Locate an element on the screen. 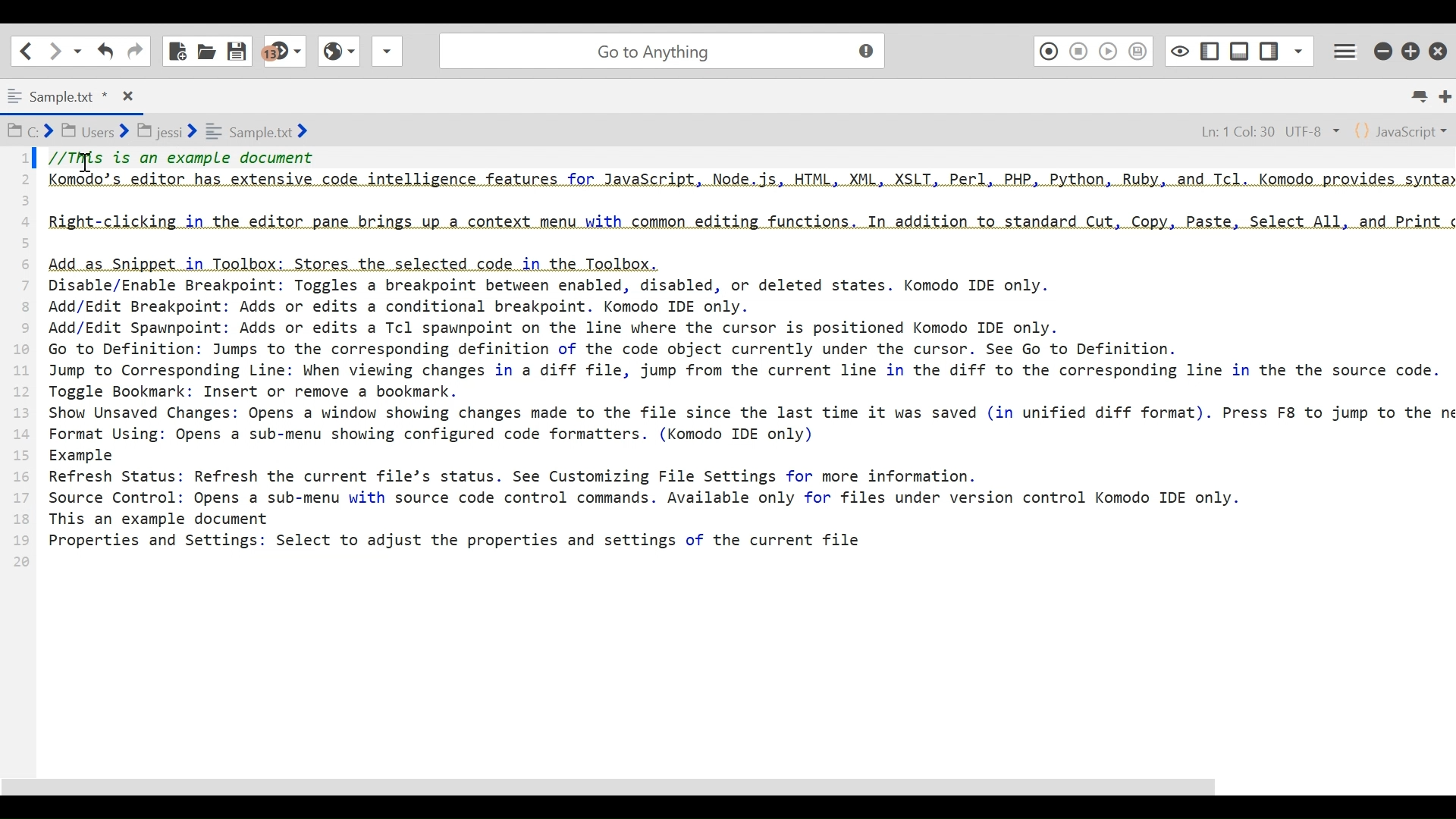  Restore is located at coordinates (1412, 49).